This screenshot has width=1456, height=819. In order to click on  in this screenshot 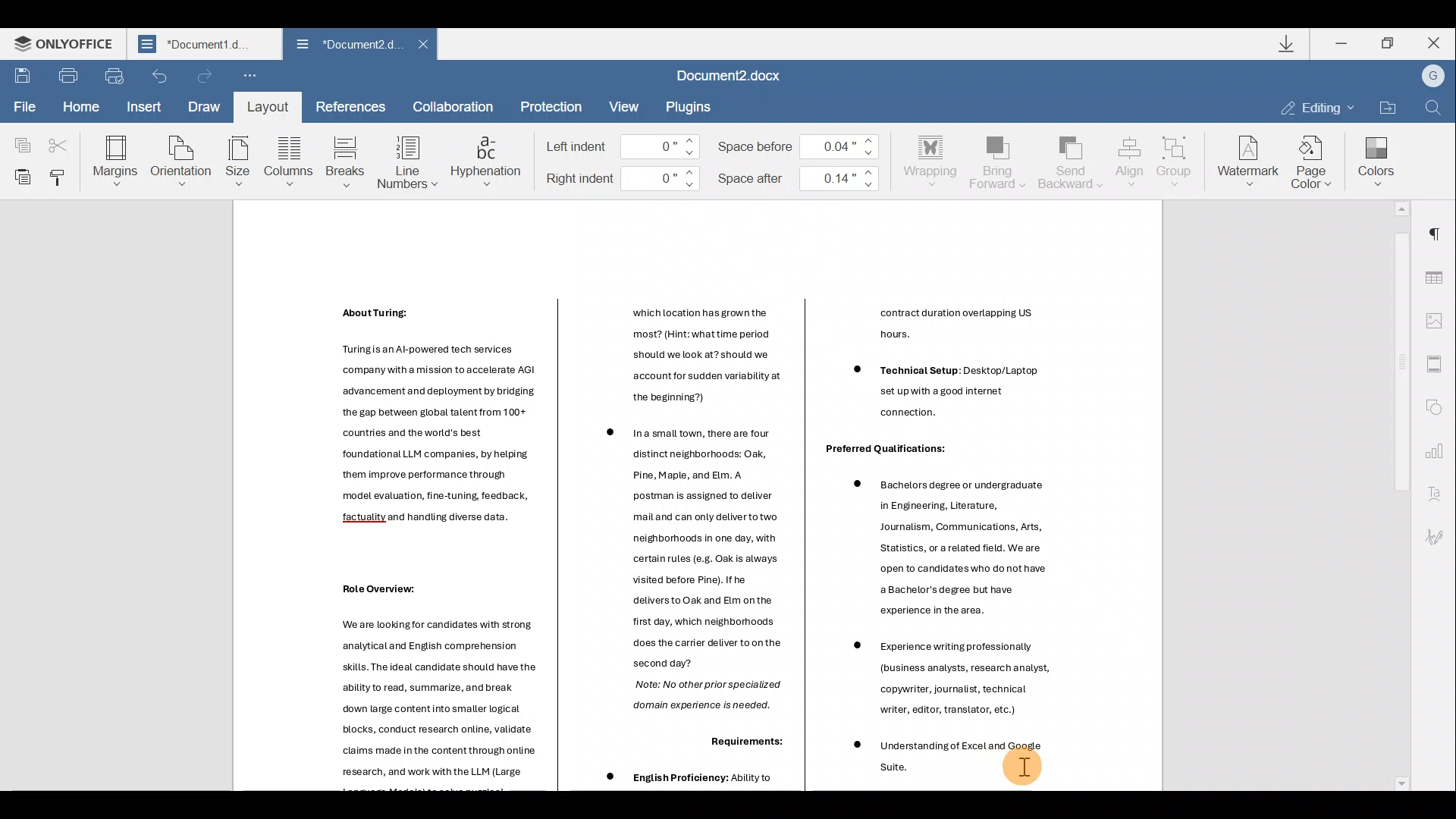, I will do `click(956, 543)`.